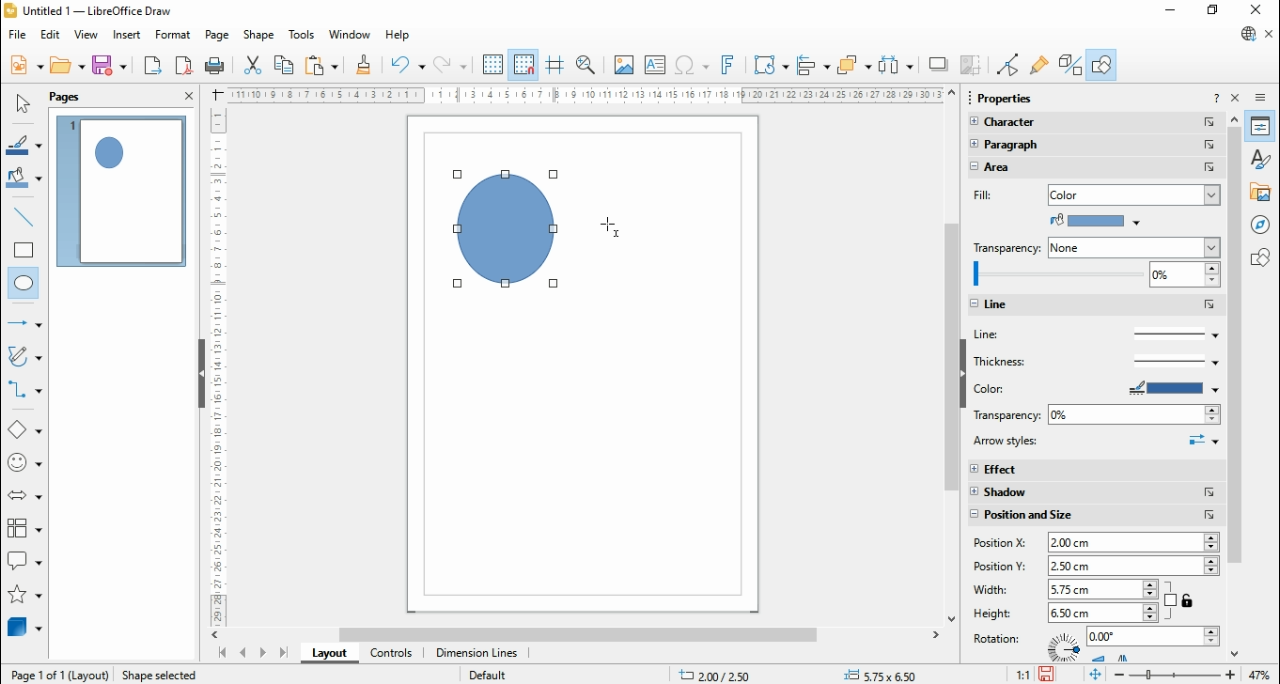 The image size is (1280, 684). Describe the element at coordinates (1263, 191) in the screenshot. I see `gallery` at that location.